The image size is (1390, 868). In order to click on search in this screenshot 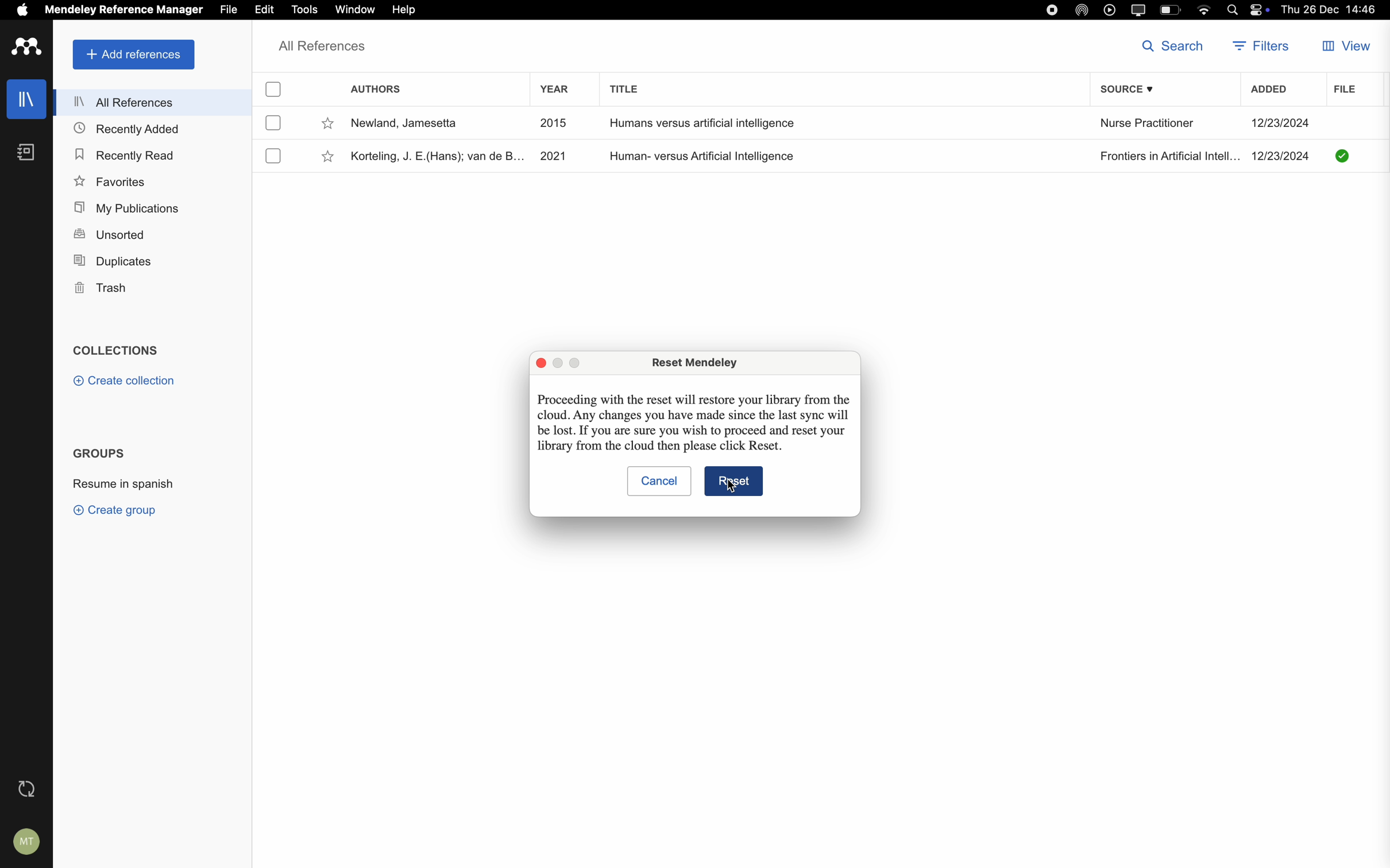, I will do `click(1171, 47)`.